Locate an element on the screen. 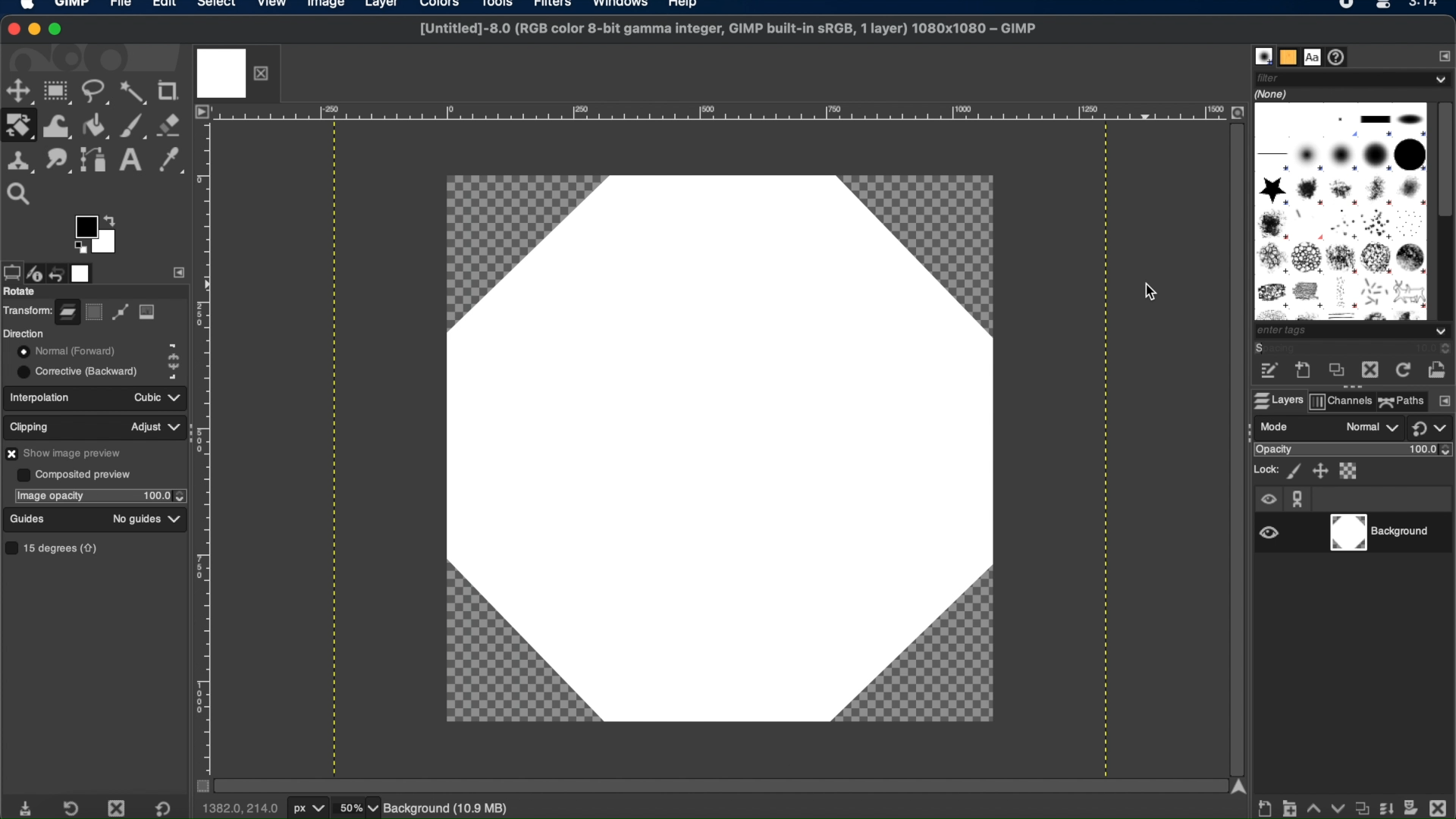 The image size is (1456, 819). select is located at coordinates (216, 6).